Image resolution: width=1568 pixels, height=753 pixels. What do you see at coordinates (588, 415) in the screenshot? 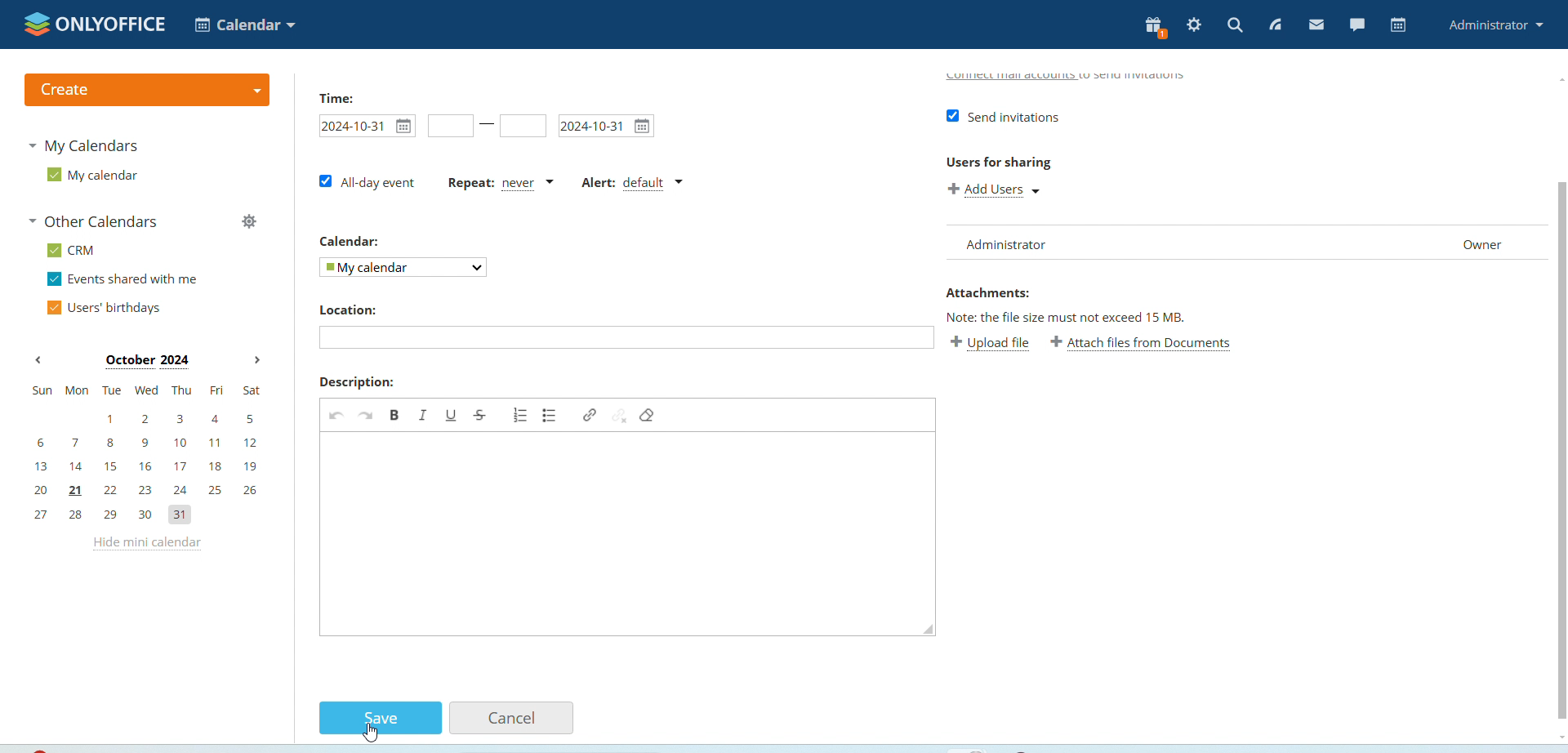
I see `Link` at bounding box center [588, 415].